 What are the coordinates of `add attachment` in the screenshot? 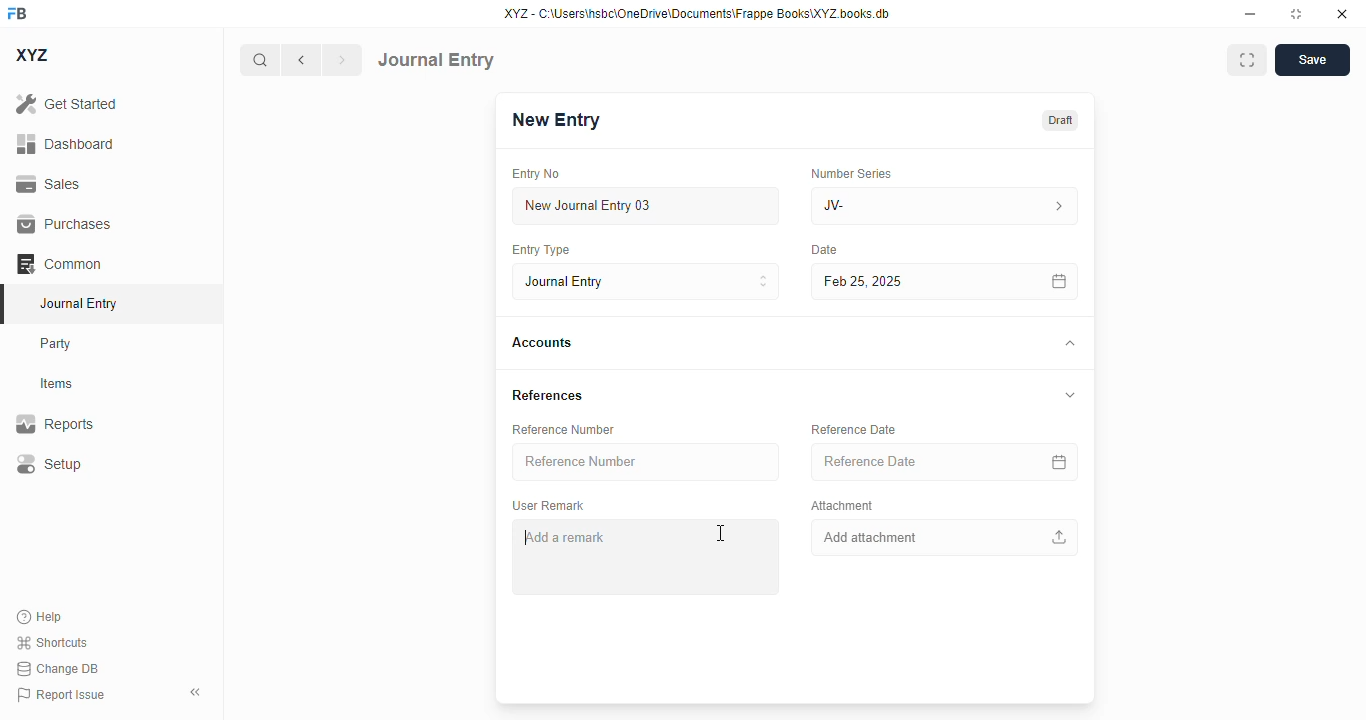 It's located at (946, 538).